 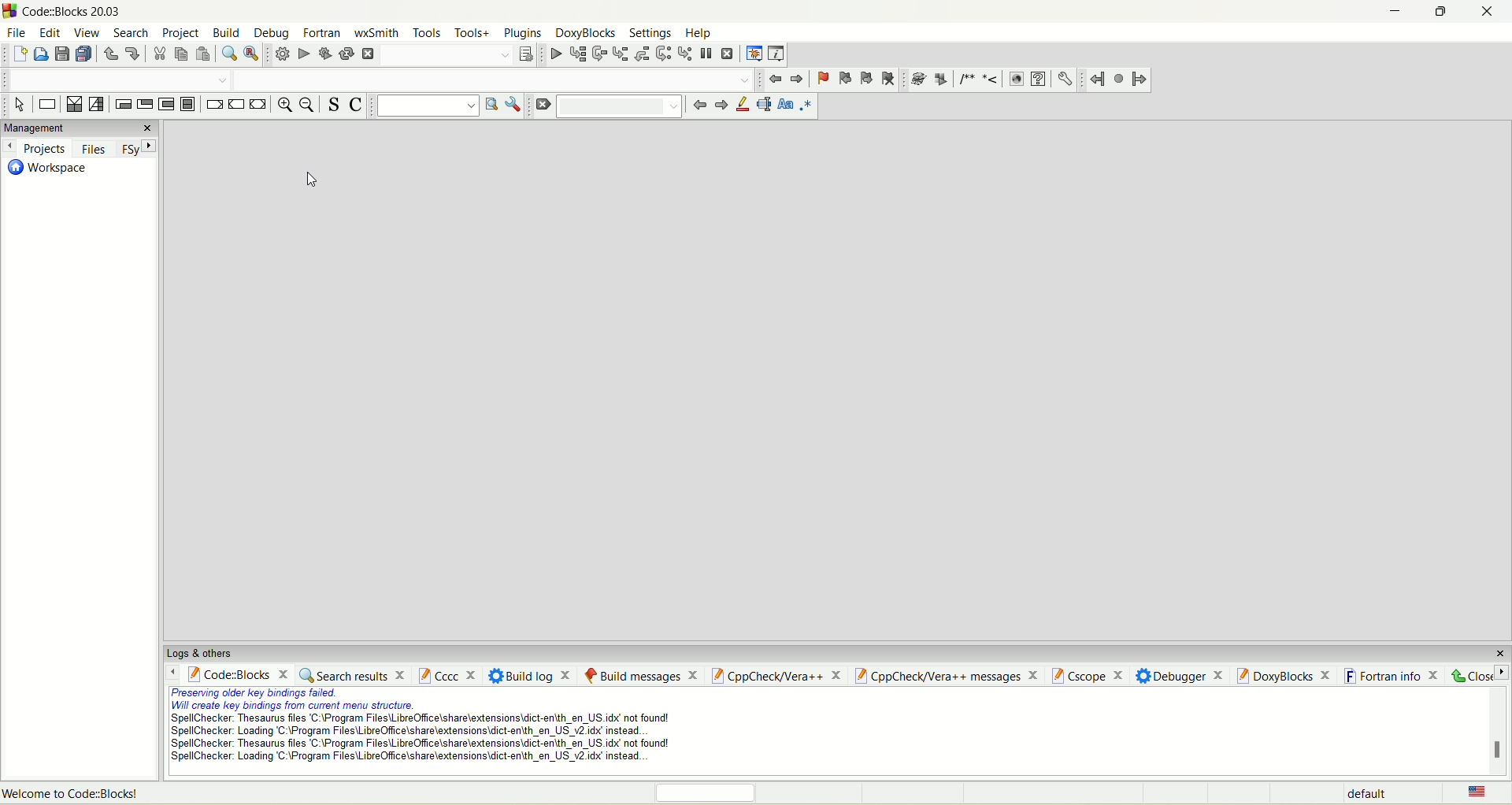 I want to click on minimize, so click(x=1384, y=13).